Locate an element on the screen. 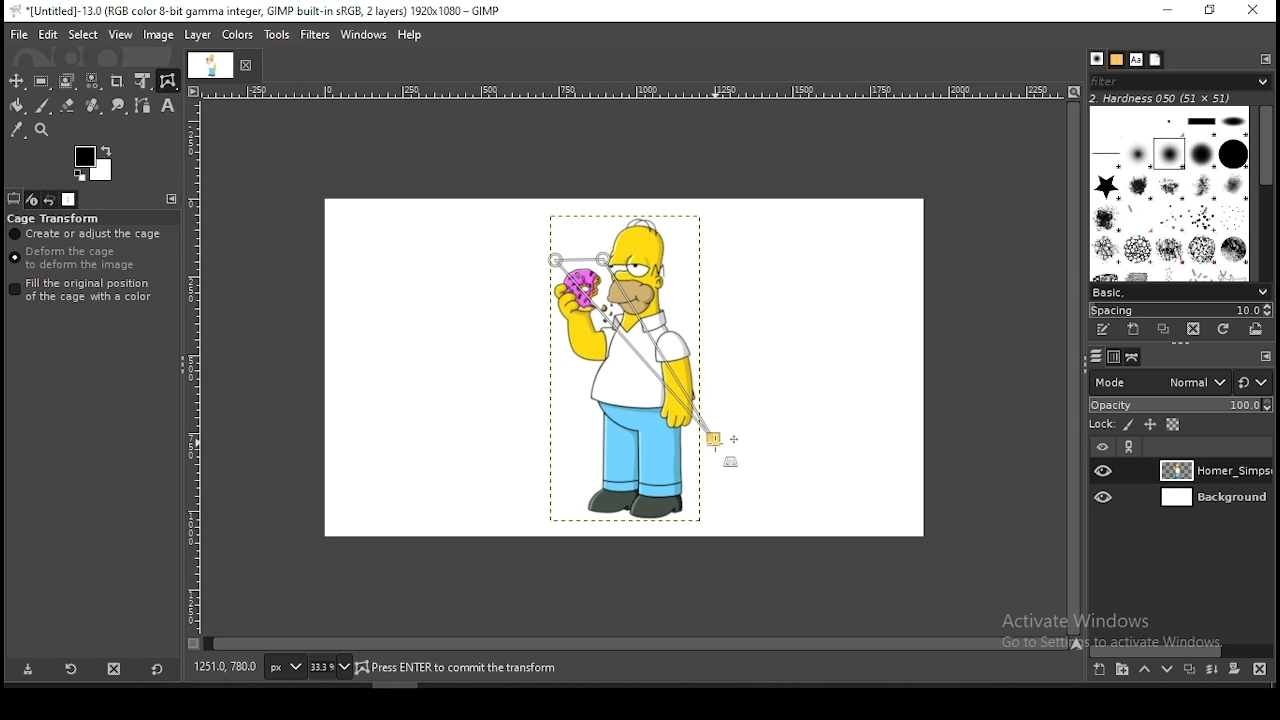  view is located at coordinates (121, 34).